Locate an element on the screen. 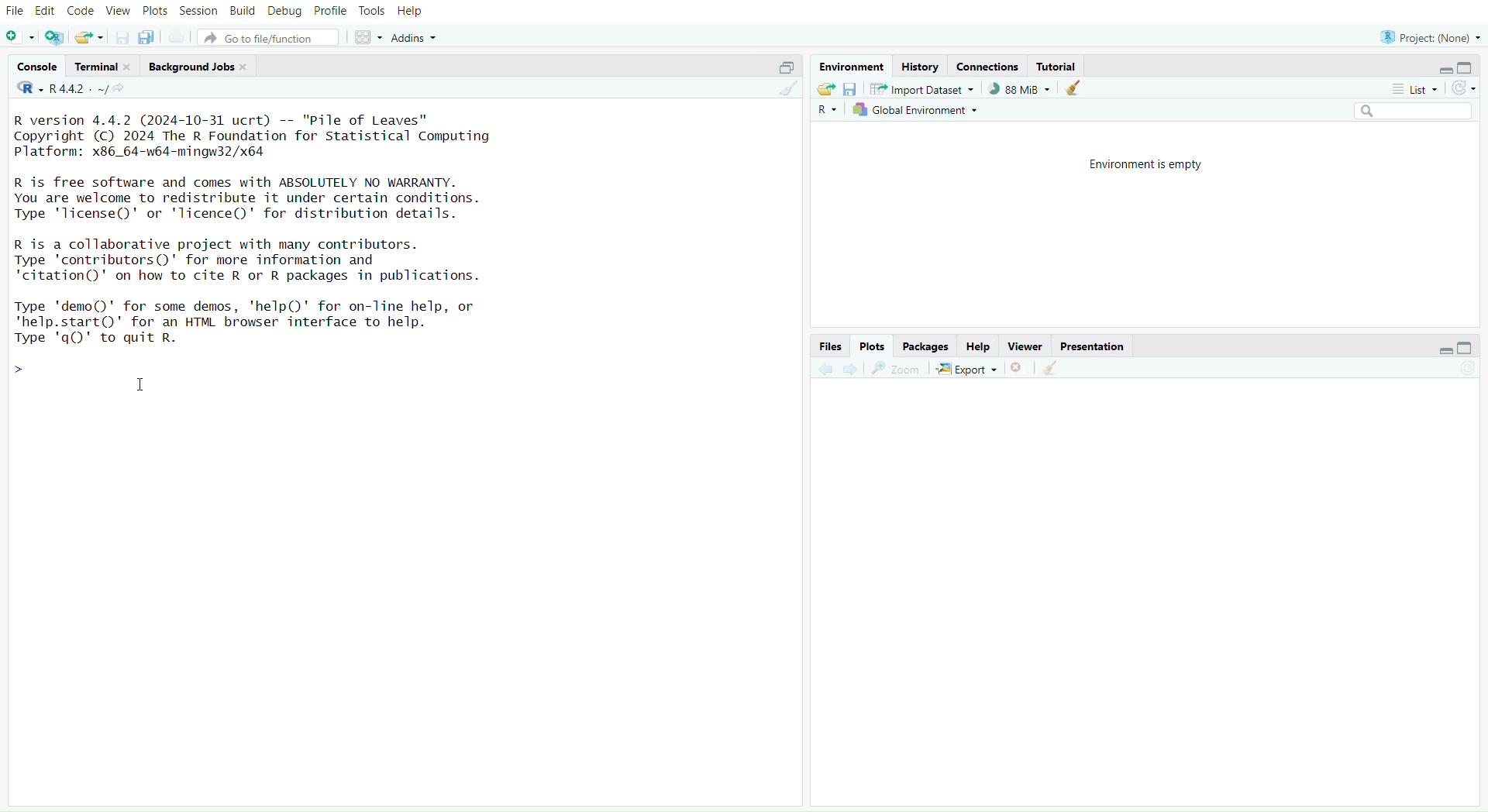  R is located at coordinates (827, 112).